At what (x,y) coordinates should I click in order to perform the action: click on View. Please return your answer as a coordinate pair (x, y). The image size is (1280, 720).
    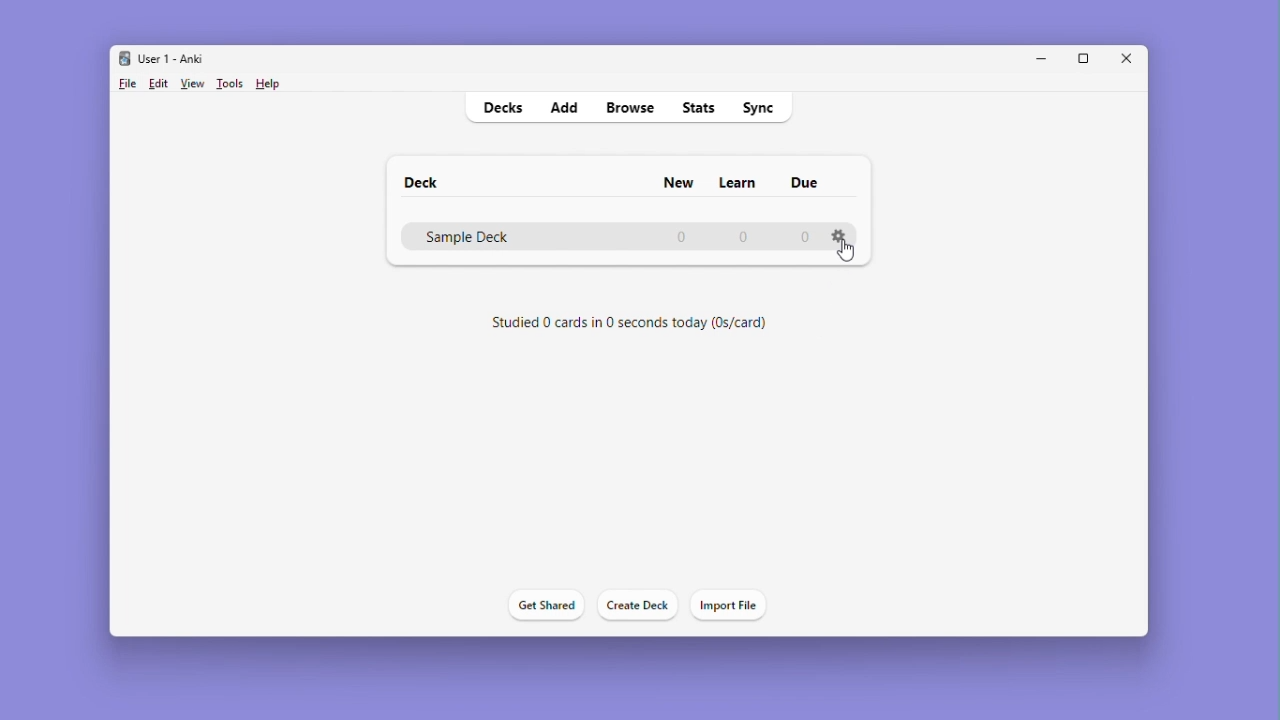
    Looking at the image, I should click on (192, 83).